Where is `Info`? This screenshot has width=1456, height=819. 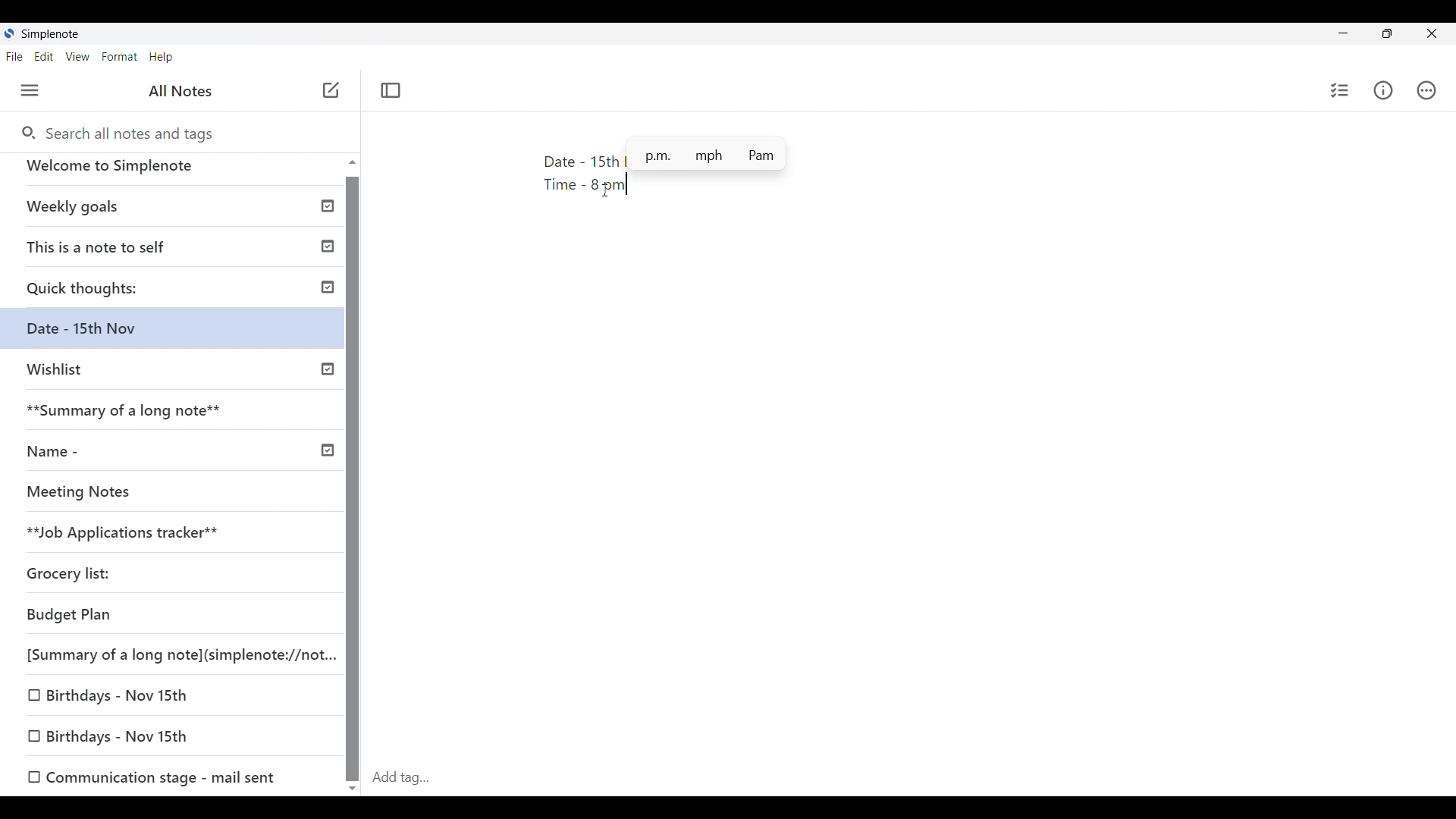 Info is located at coordinates (1383, 90).